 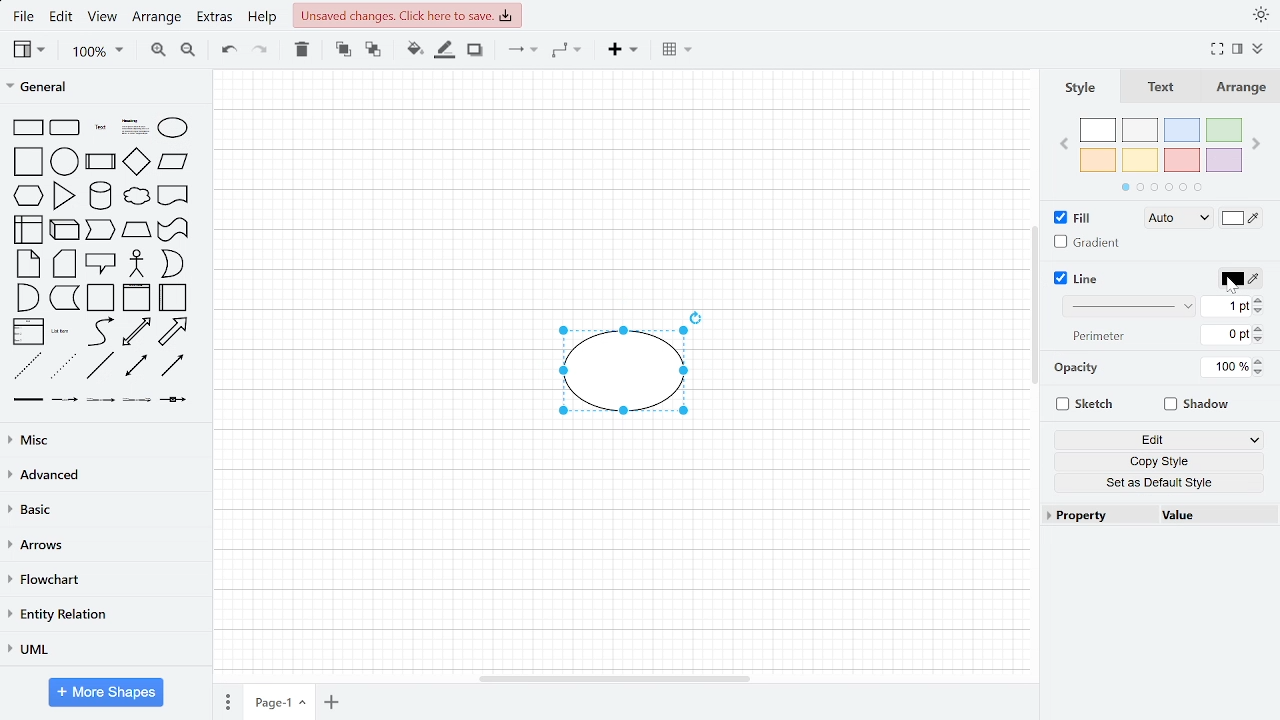 What do you see at coordinates (1194, 405) in the screenshot?
I see `Shadow` at bounding box center [1194, 405].